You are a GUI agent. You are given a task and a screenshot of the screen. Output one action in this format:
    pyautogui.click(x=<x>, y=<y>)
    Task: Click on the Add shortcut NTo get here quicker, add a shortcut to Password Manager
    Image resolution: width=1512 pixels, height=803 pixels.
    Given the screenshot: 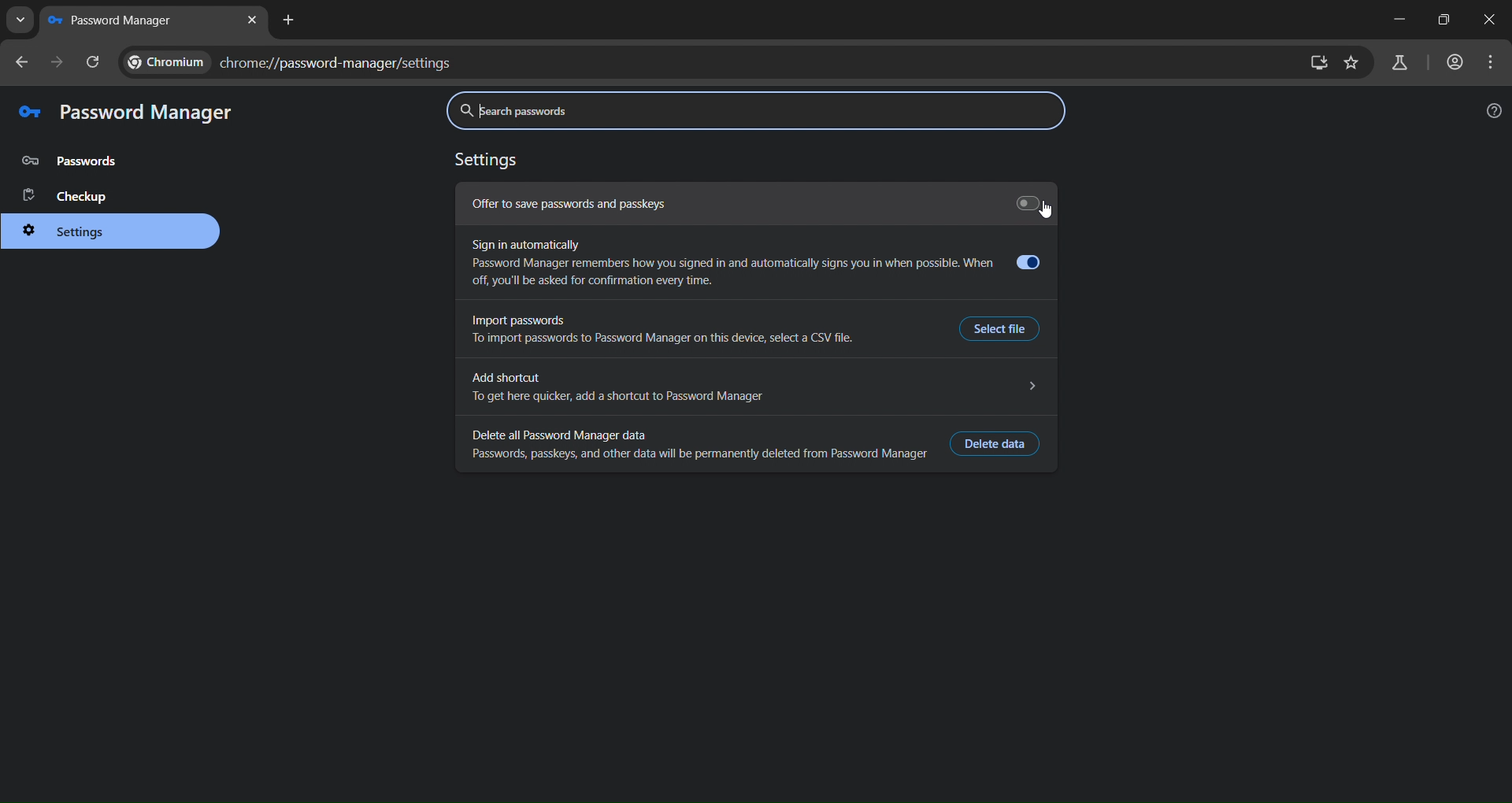 What is the action you would take?
    pyautogui.click(x=758, y=387)
    